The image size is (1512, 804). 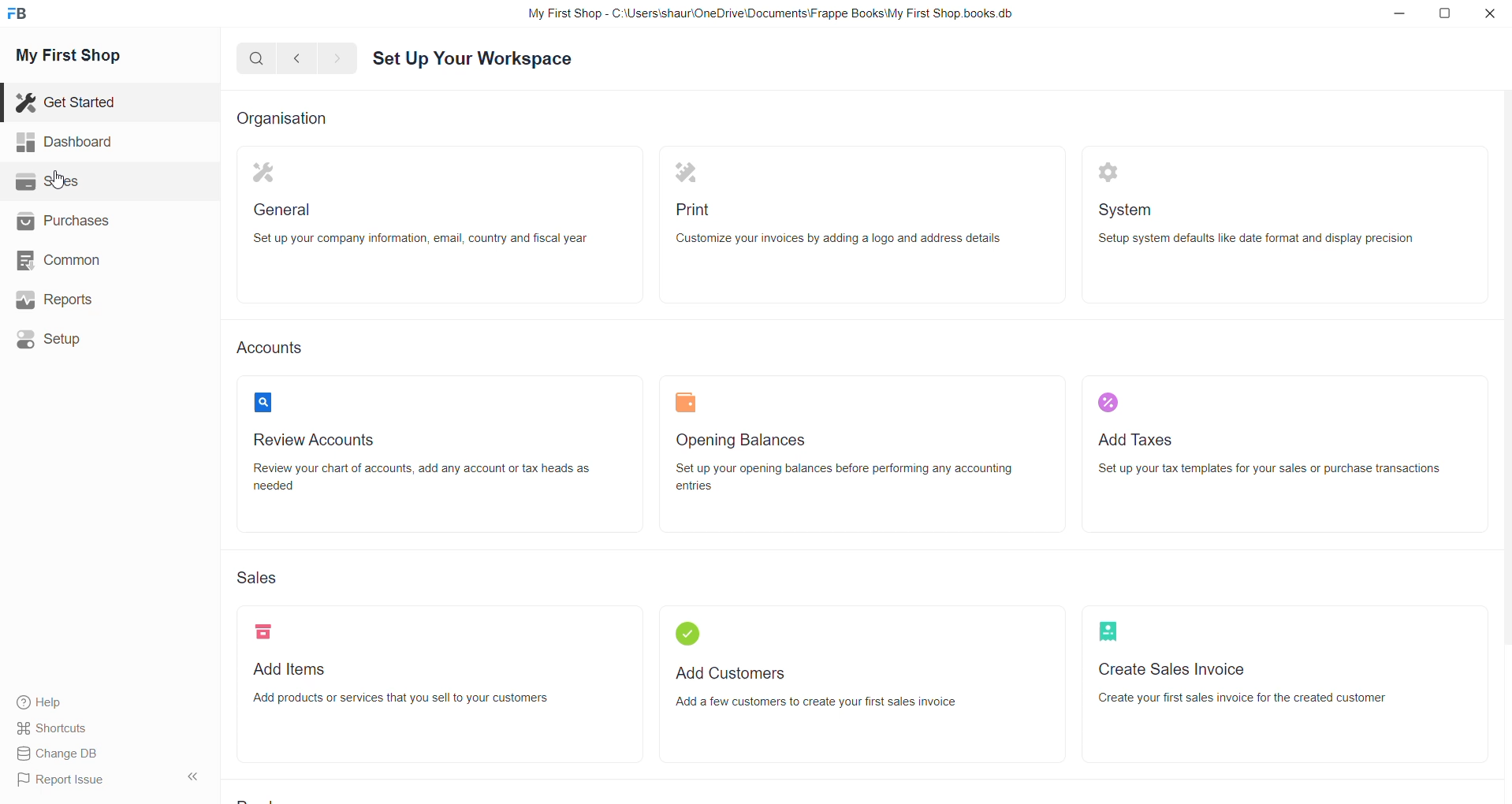 I want to click on Sales, so click(x=256, y=575).